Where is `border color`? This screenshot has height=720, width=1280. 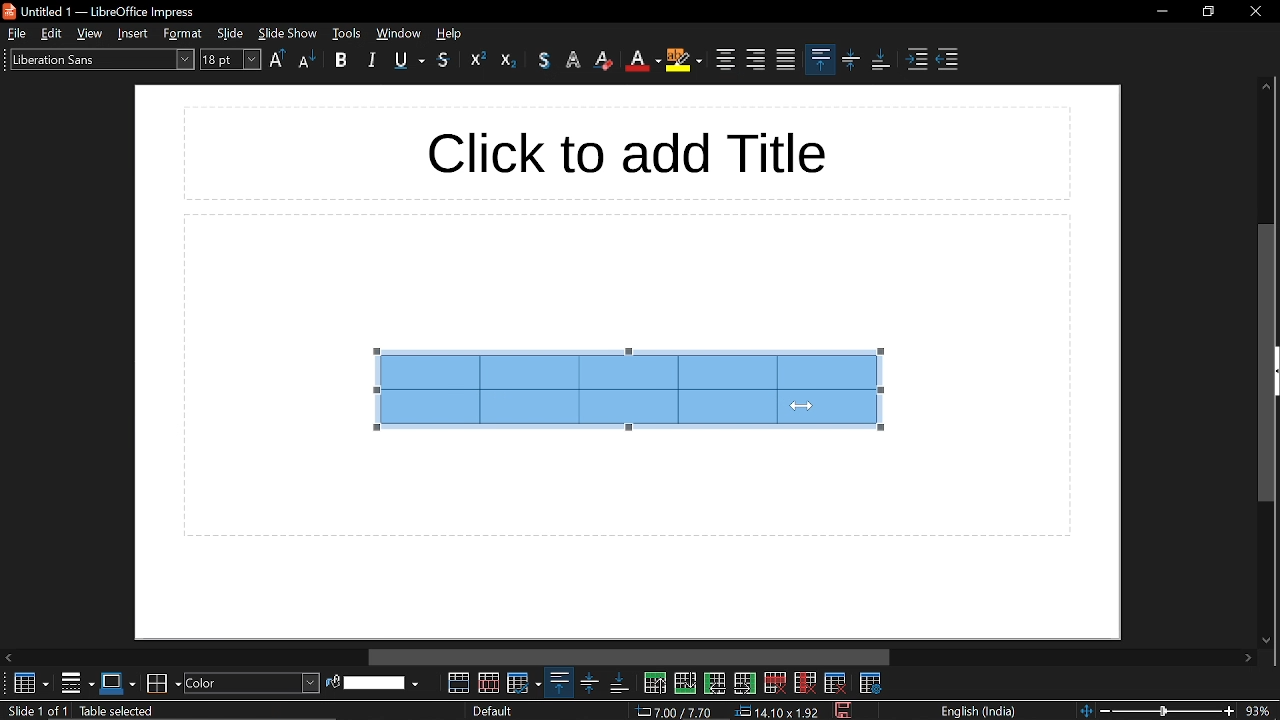
border color is located at coordinates (163, 681).